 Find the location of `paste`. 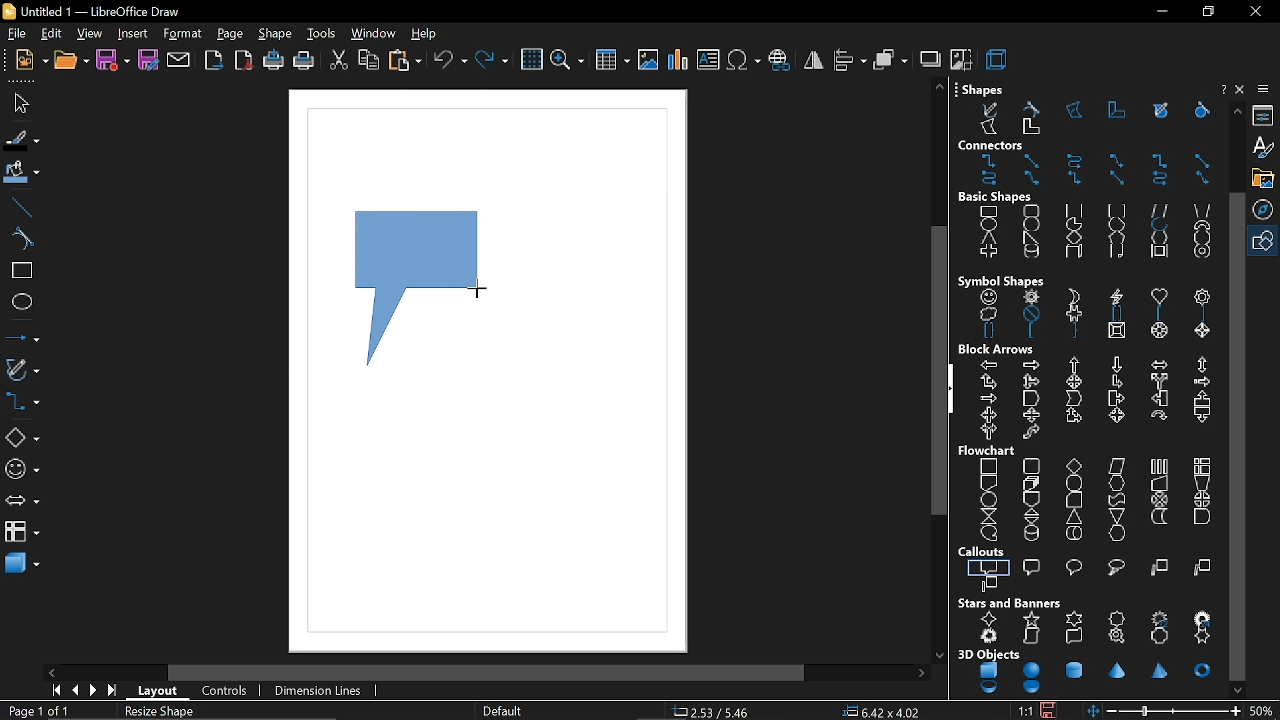

paste is located at coordinates (404, 62).